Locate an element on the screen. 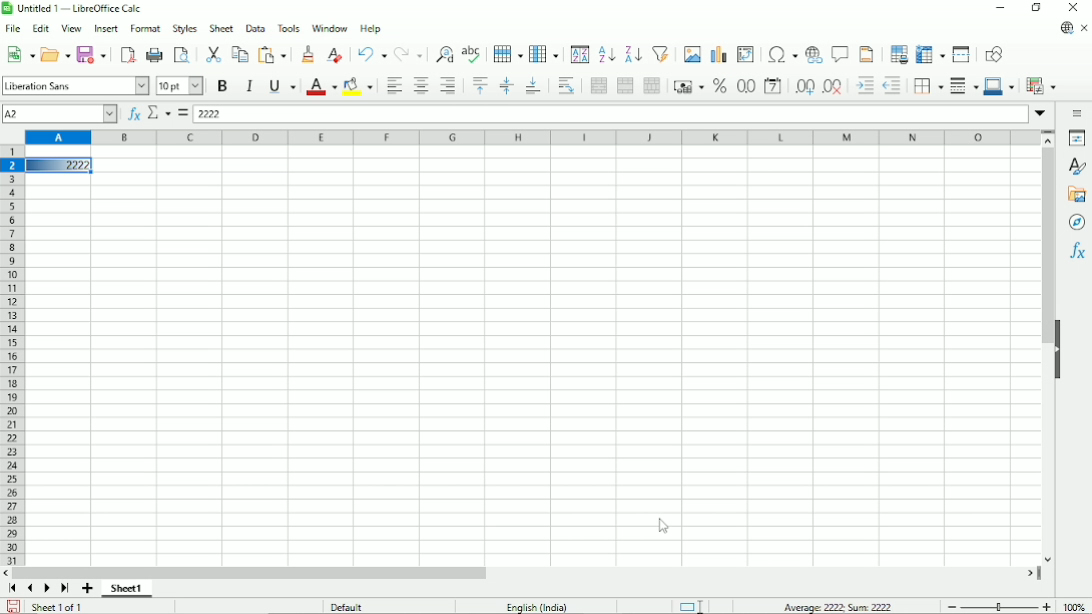 This screenshot has width=1092, height=614. Horizontal scrollbar is located at coordinates (527, 573).